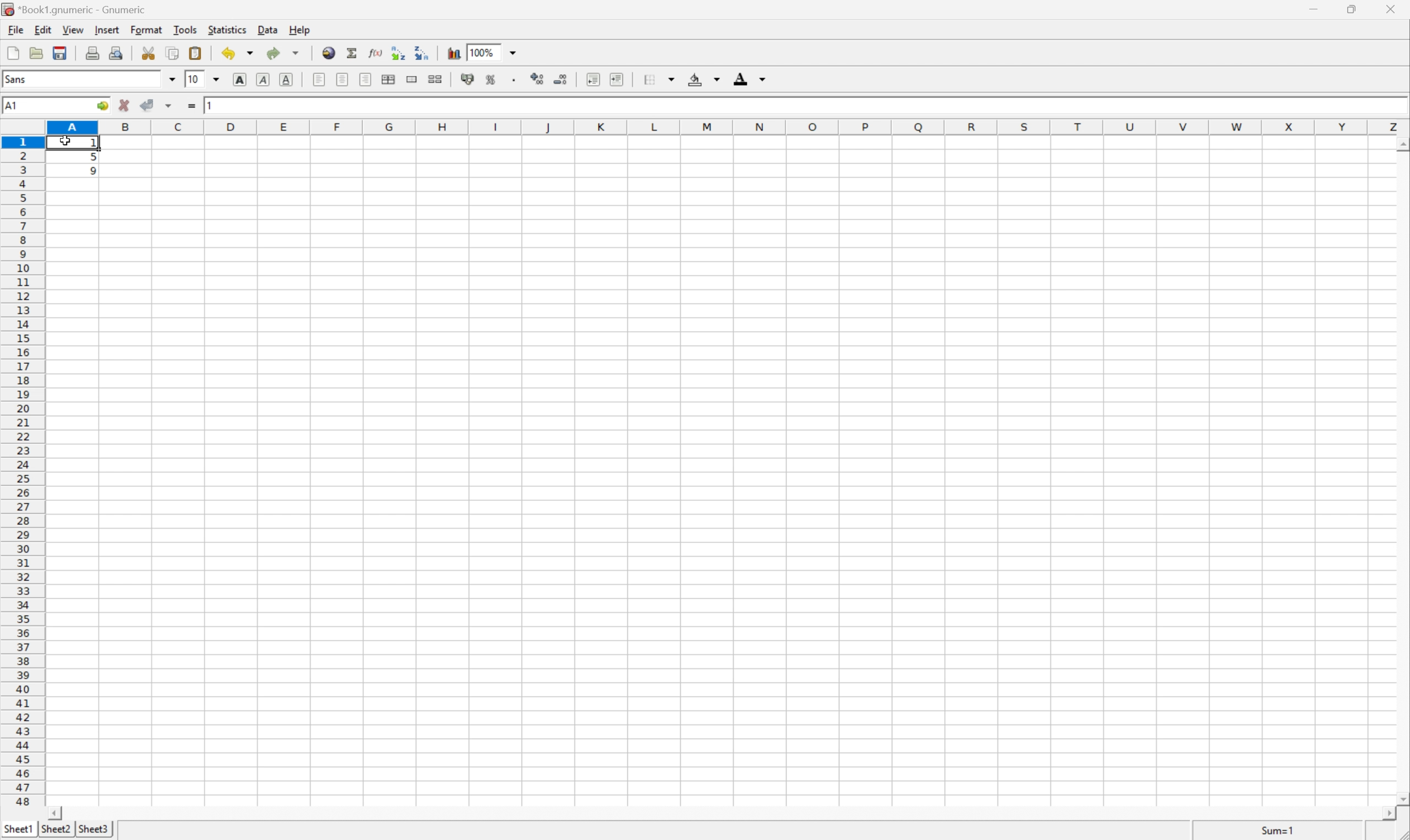 The image size is (1410, 840). What do you see at coordinates (516, 52) in the screenshot?
I see `drop down` at bounding box center [516, 52].